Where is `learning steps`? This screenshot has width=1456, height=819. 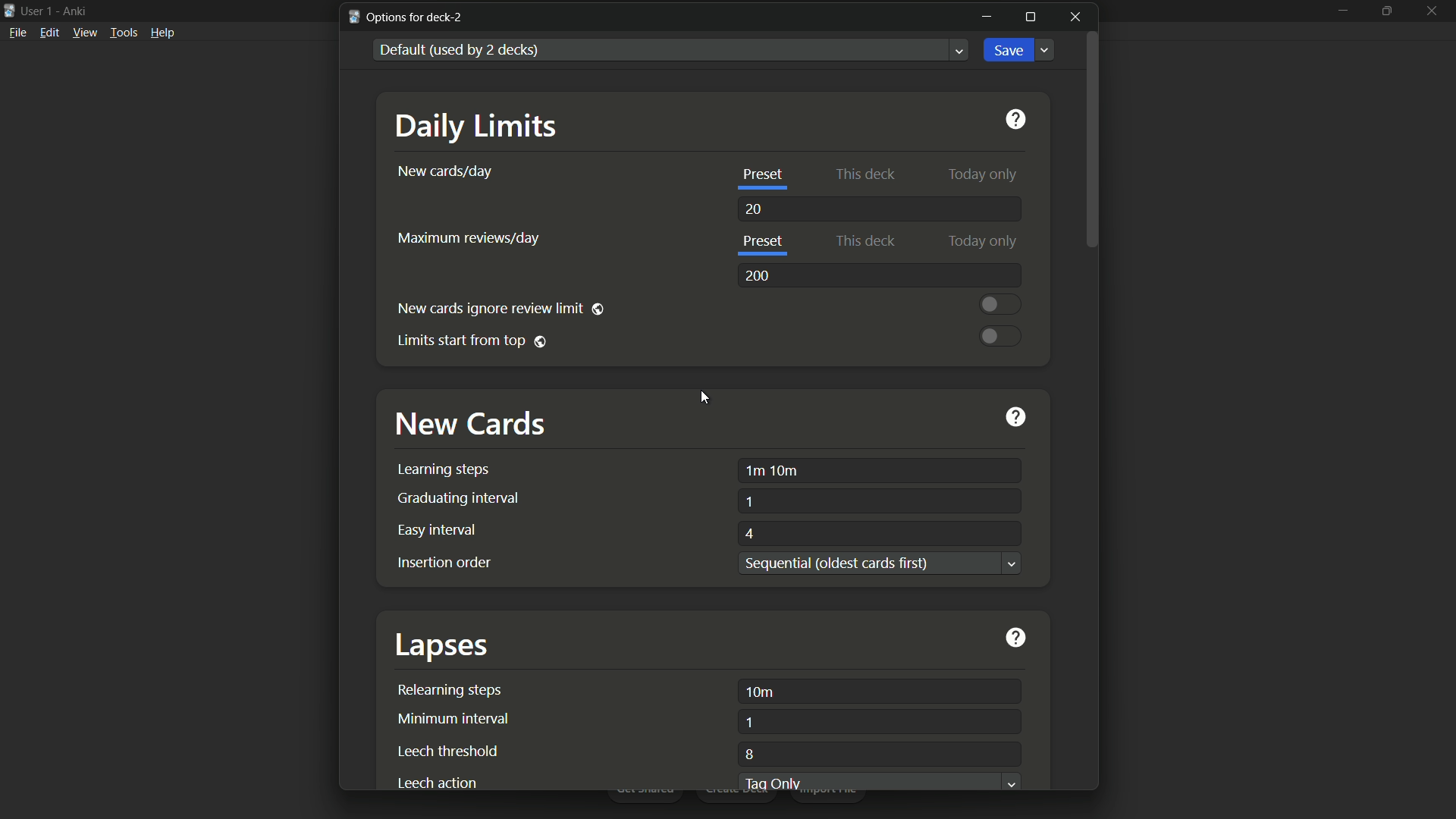
learning steps is located at coordinates (438, 470).